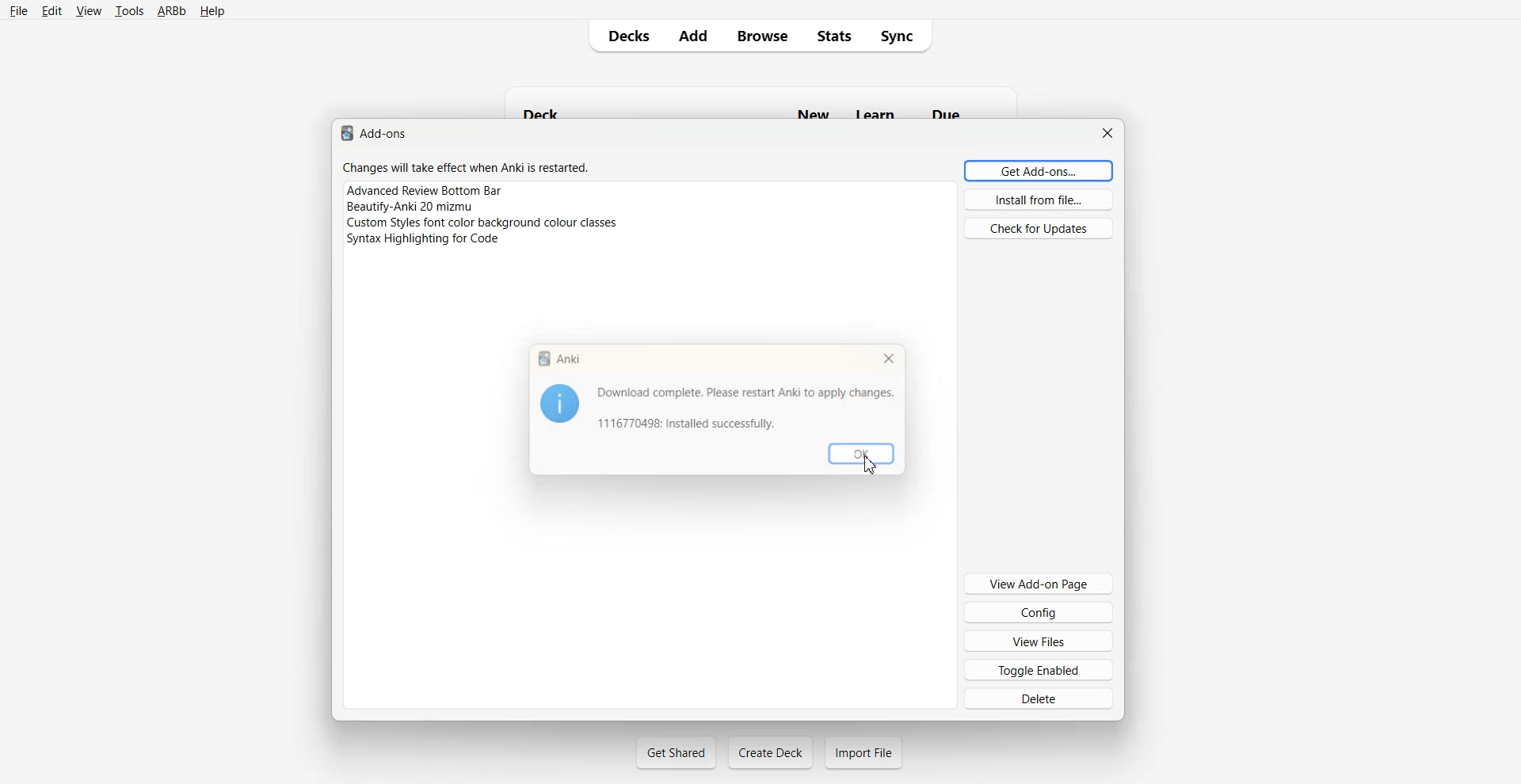 The width and height of the screenshot is (1521, 784). Describe the element at coordinates (1040, 611) in the screenshot. I see `Config` at that location.